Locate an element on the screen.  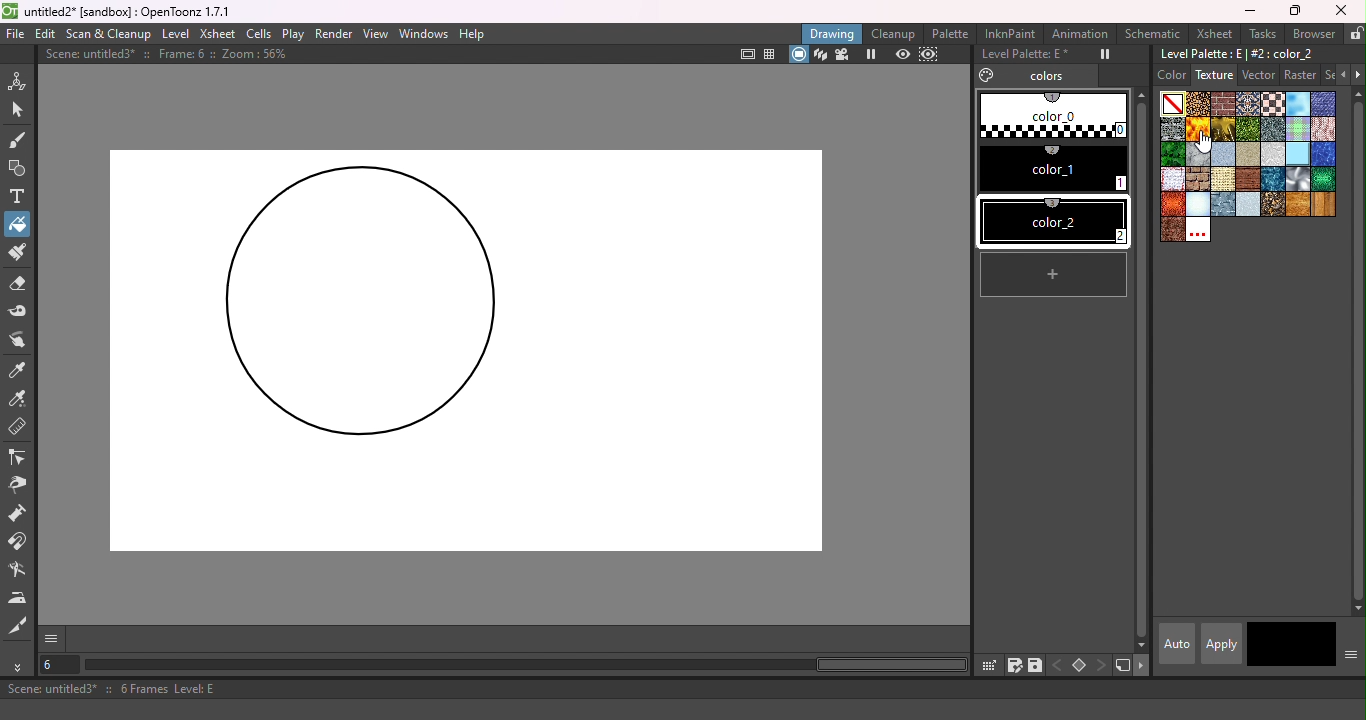
steelplates.bmp is located at coordinates (1224, 205).